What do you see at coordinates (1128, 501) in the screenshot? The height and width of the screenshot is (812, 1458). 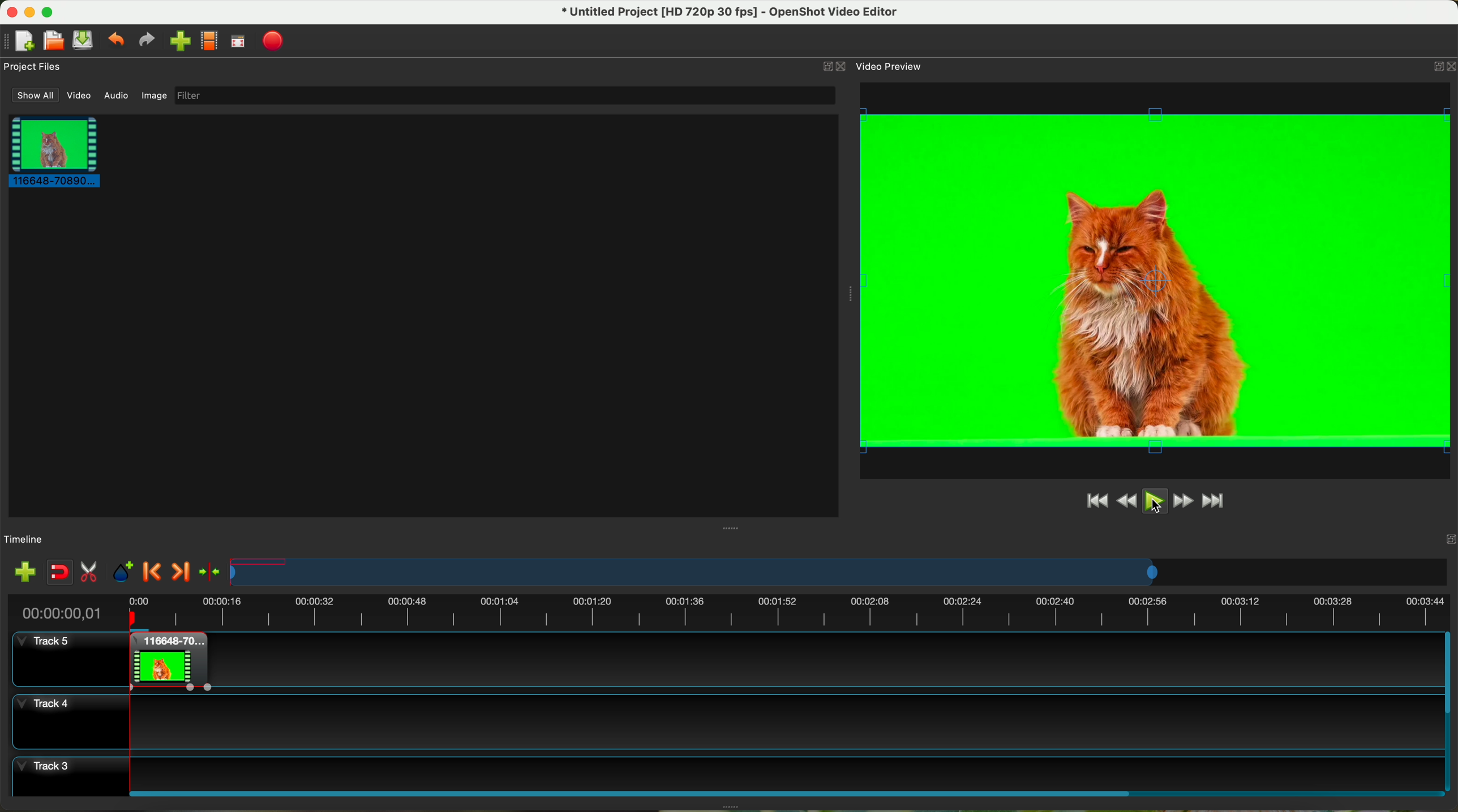 I see `rewind` at bounding box center [1128, 501].